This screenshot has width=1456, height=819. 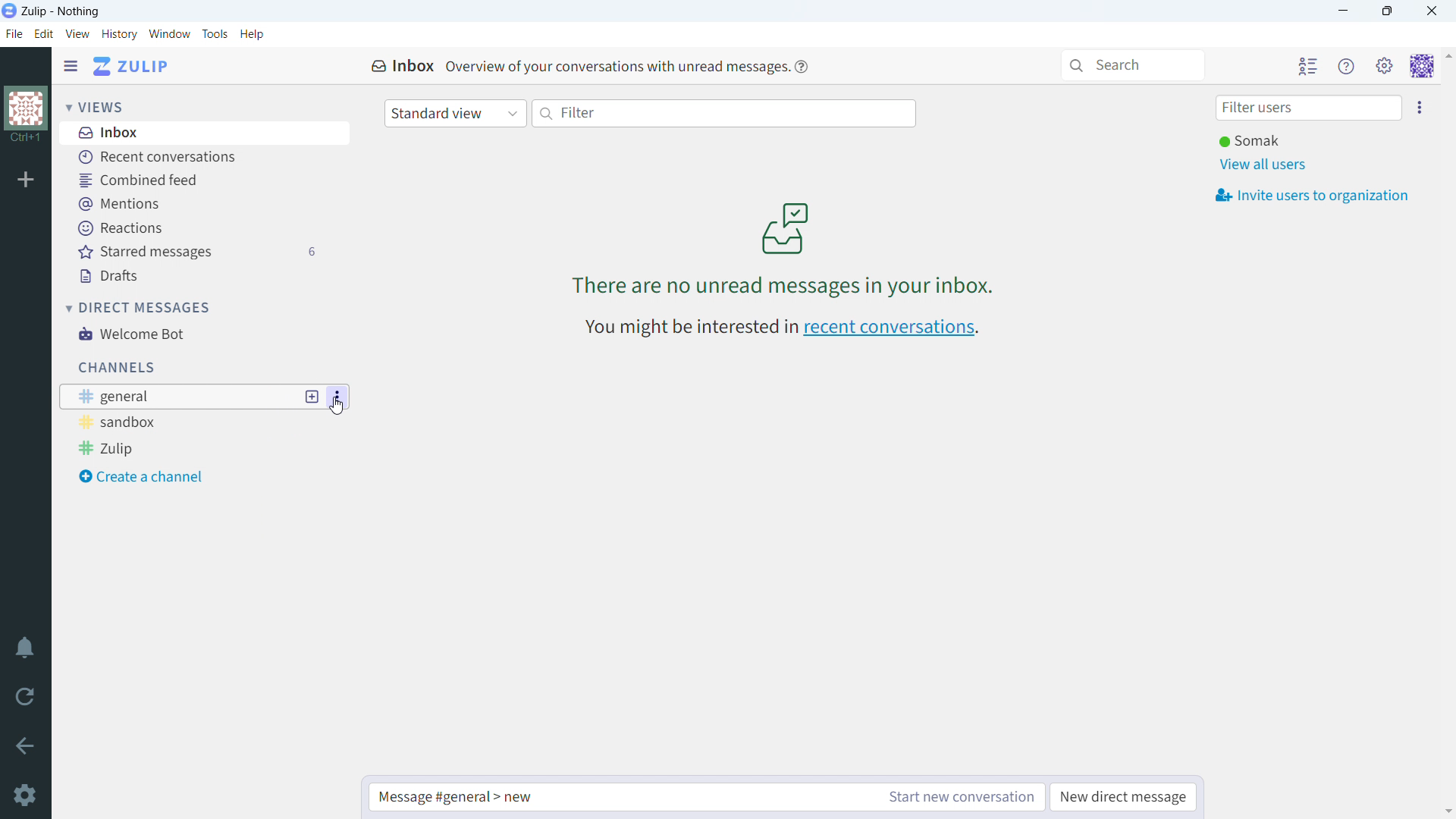 I want to click on welcome bot, so click(x=195, y=334).